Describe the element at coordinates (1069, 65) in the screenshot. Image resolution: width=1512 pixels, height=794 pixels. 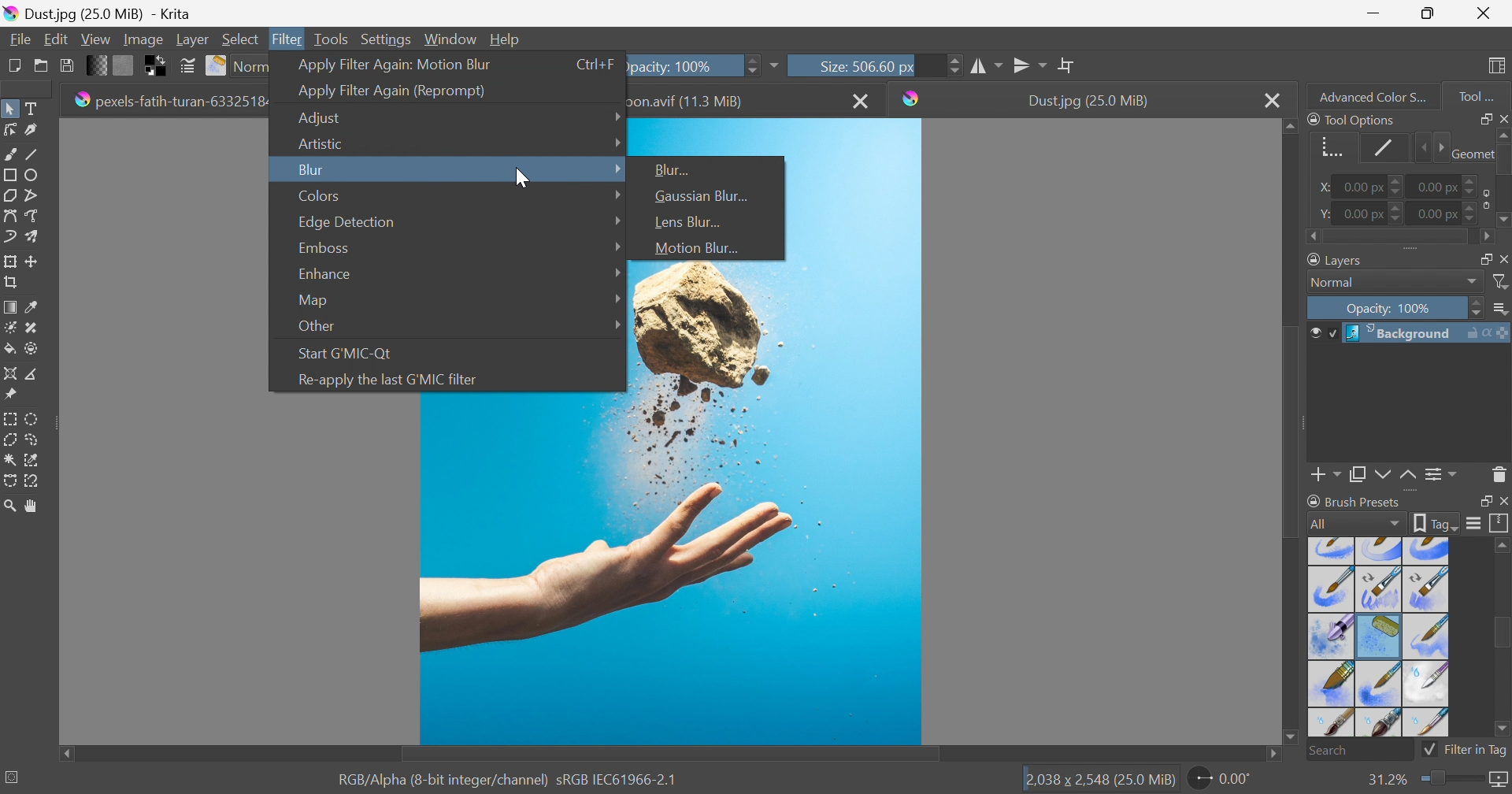
I see `Wrap around mode` at that location.